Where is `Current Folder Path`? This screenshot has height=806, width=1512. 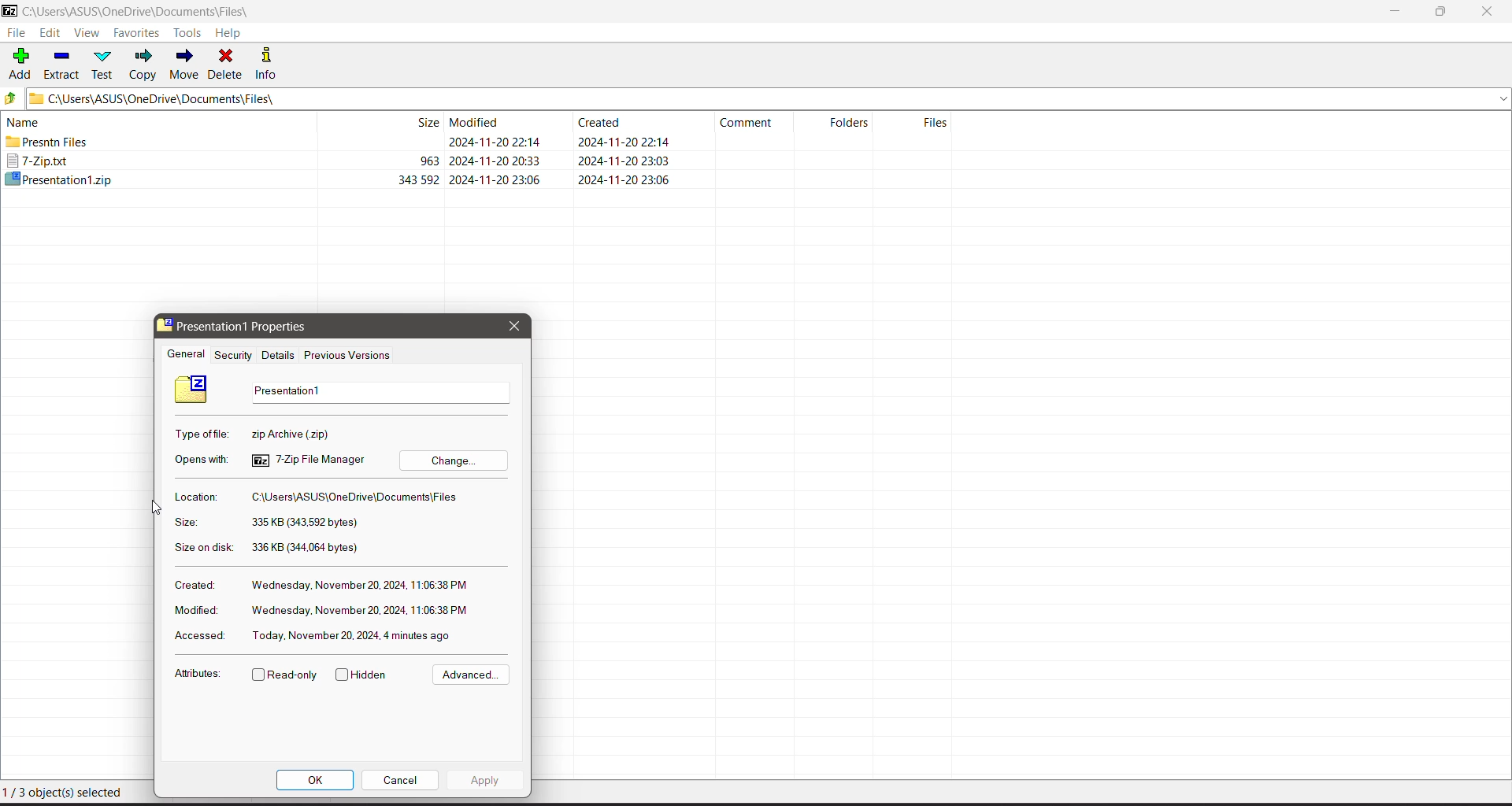
Current Folder Path is located at coordinates (769, 98).